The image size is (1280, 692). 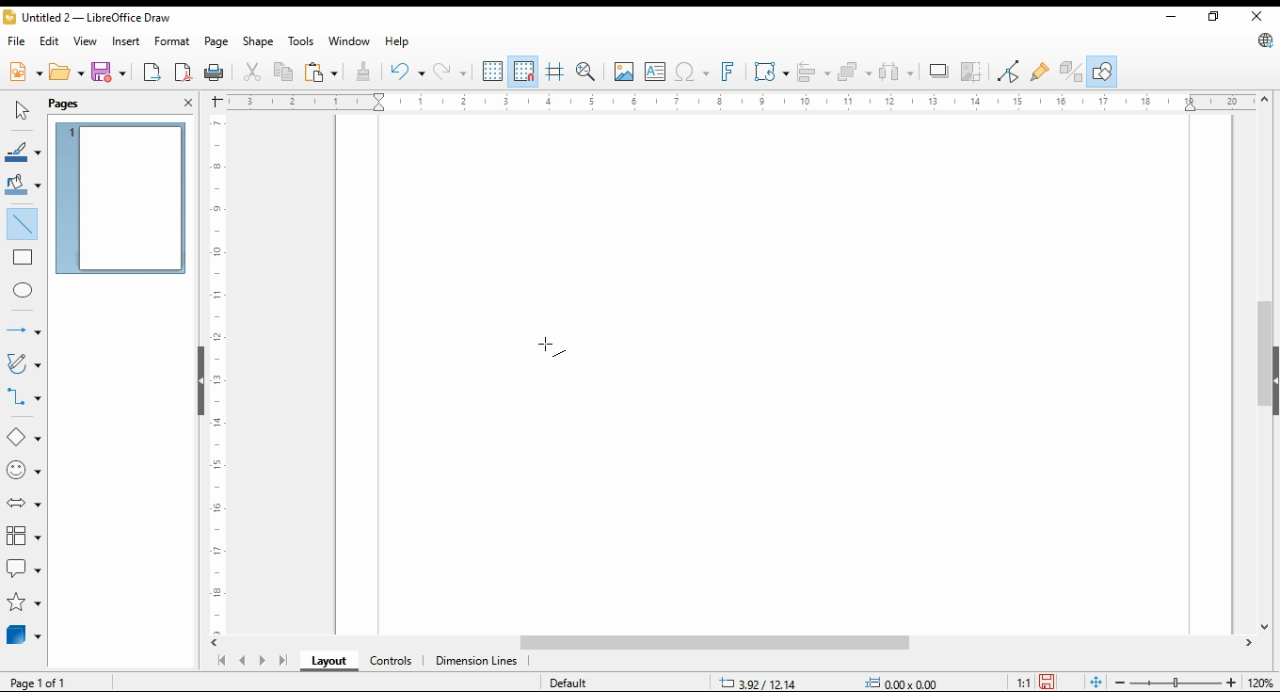 What do you see at coordinates (1173, 682) in the screenshot?
I see `zoom slider` at bounding box center [1173, 682].